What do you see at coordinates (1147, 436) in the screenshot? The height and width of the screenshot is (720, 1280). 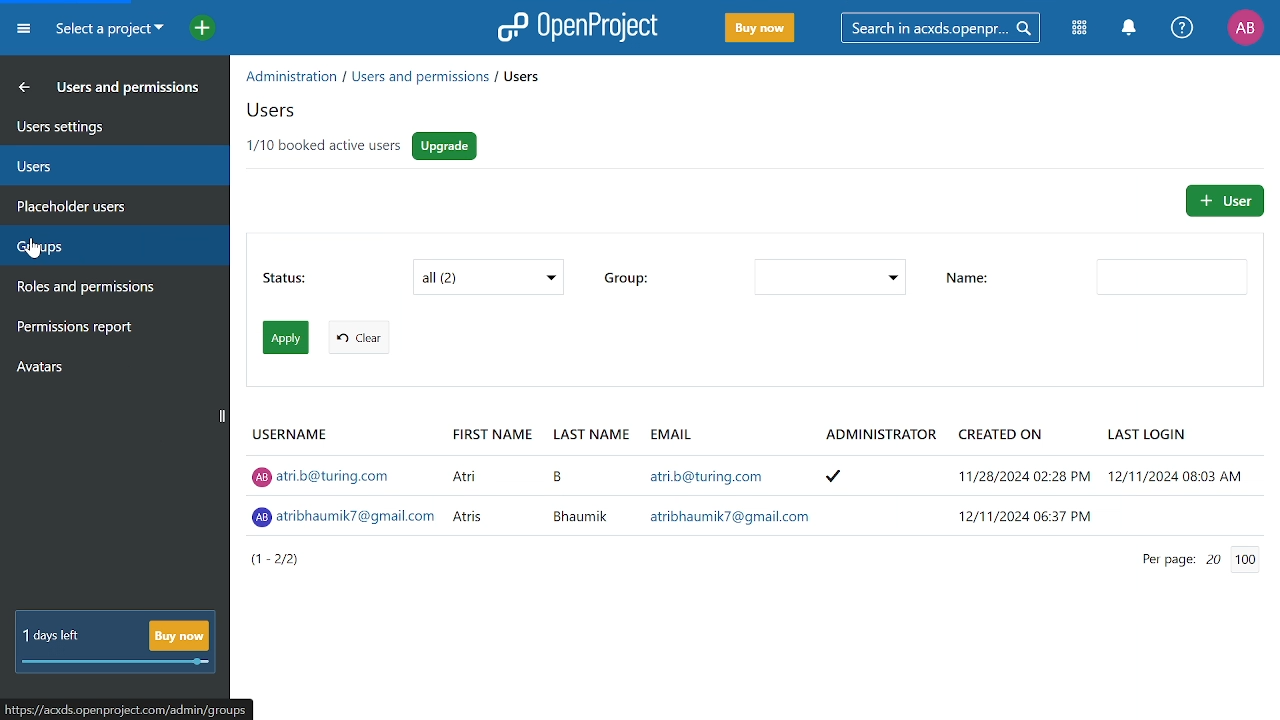 I see `Last Login` at bounding box center [1147, 436].